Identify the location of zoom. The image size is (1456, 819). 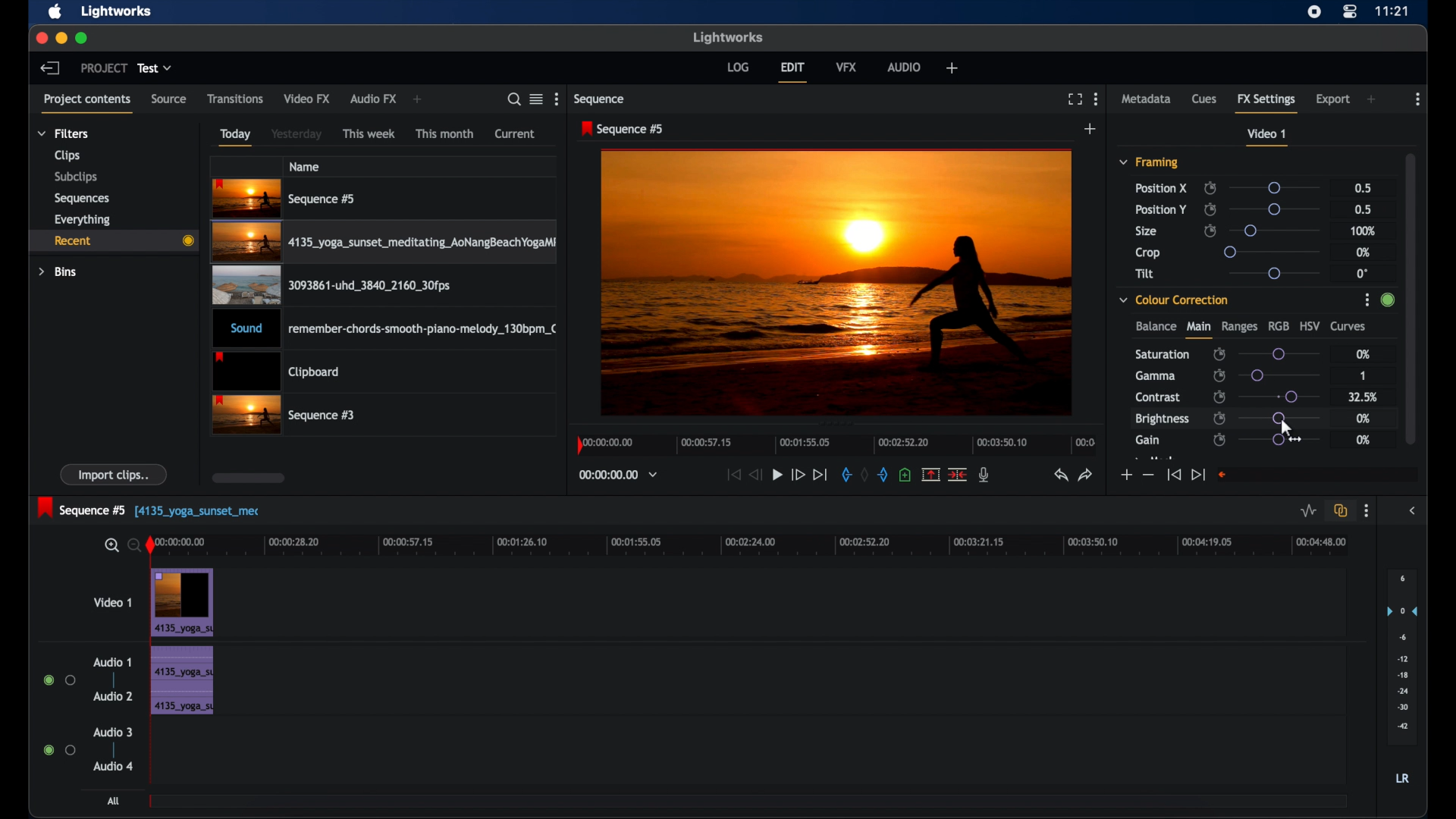
(118, 546).